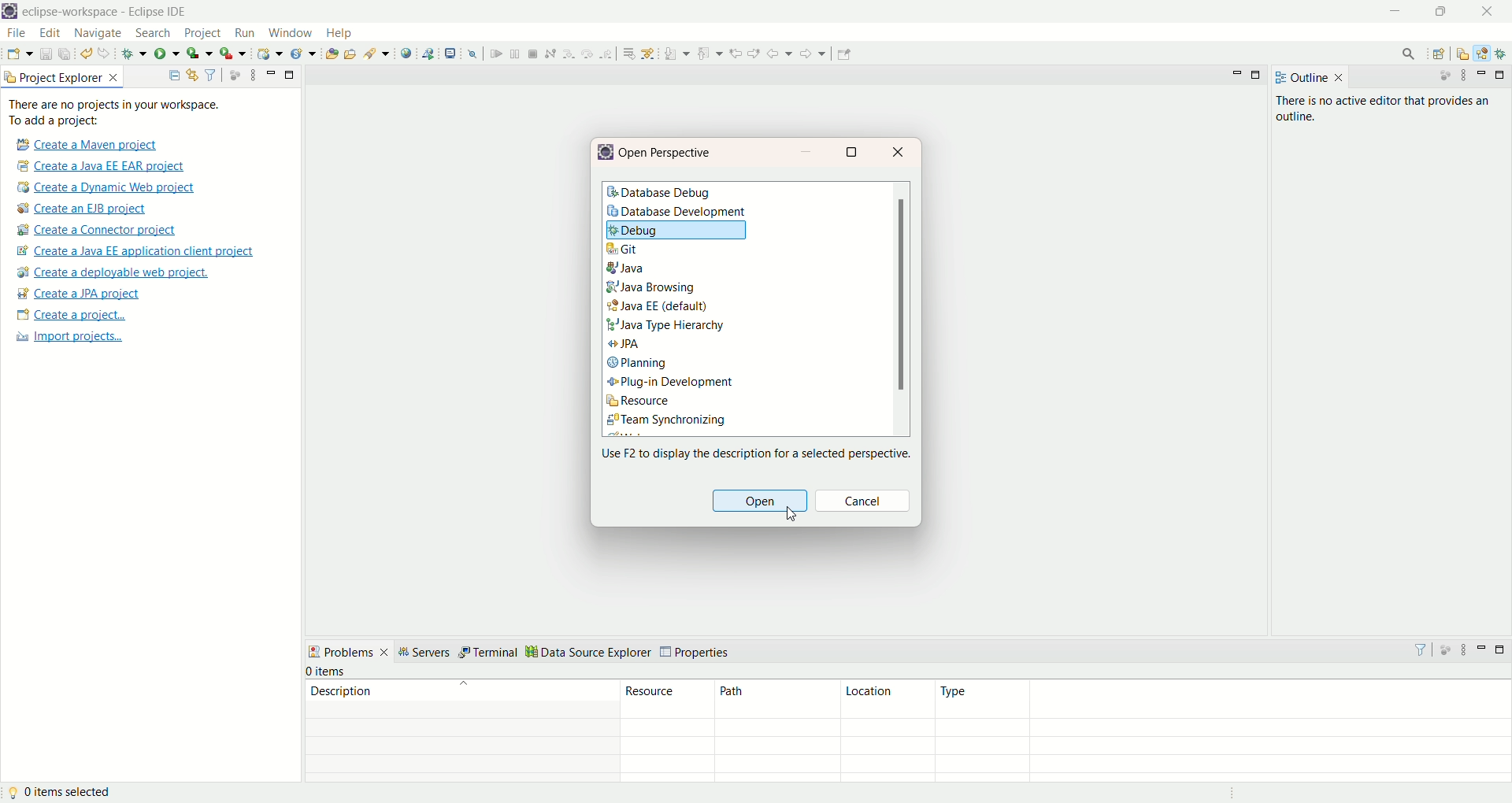 Image resolution: width=1512 pixels, height=803 pixels. I want to click on java, so click(629, 269).